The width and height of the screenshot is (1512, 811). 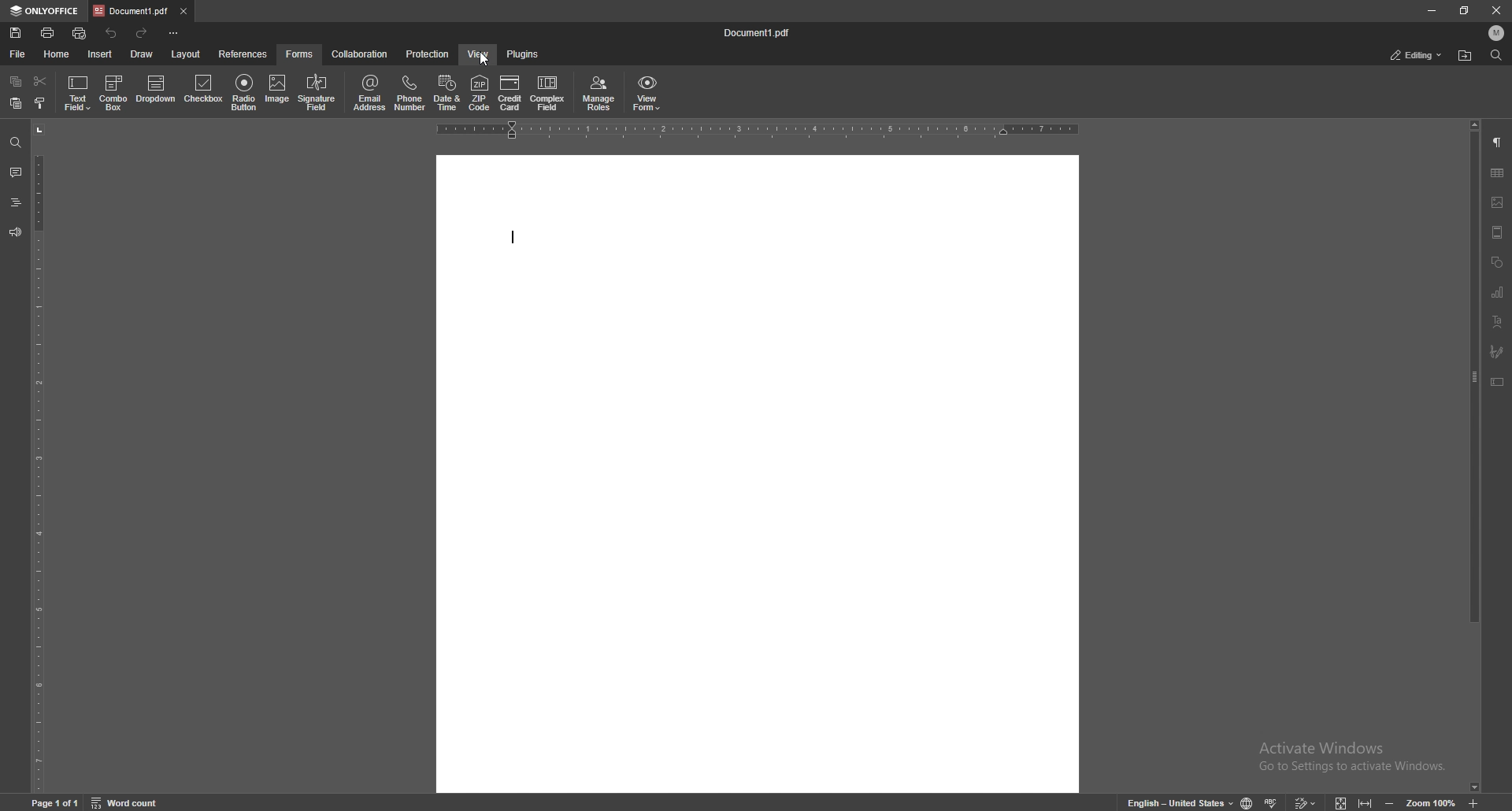 I want to click on save, so click(x=16, y=33).